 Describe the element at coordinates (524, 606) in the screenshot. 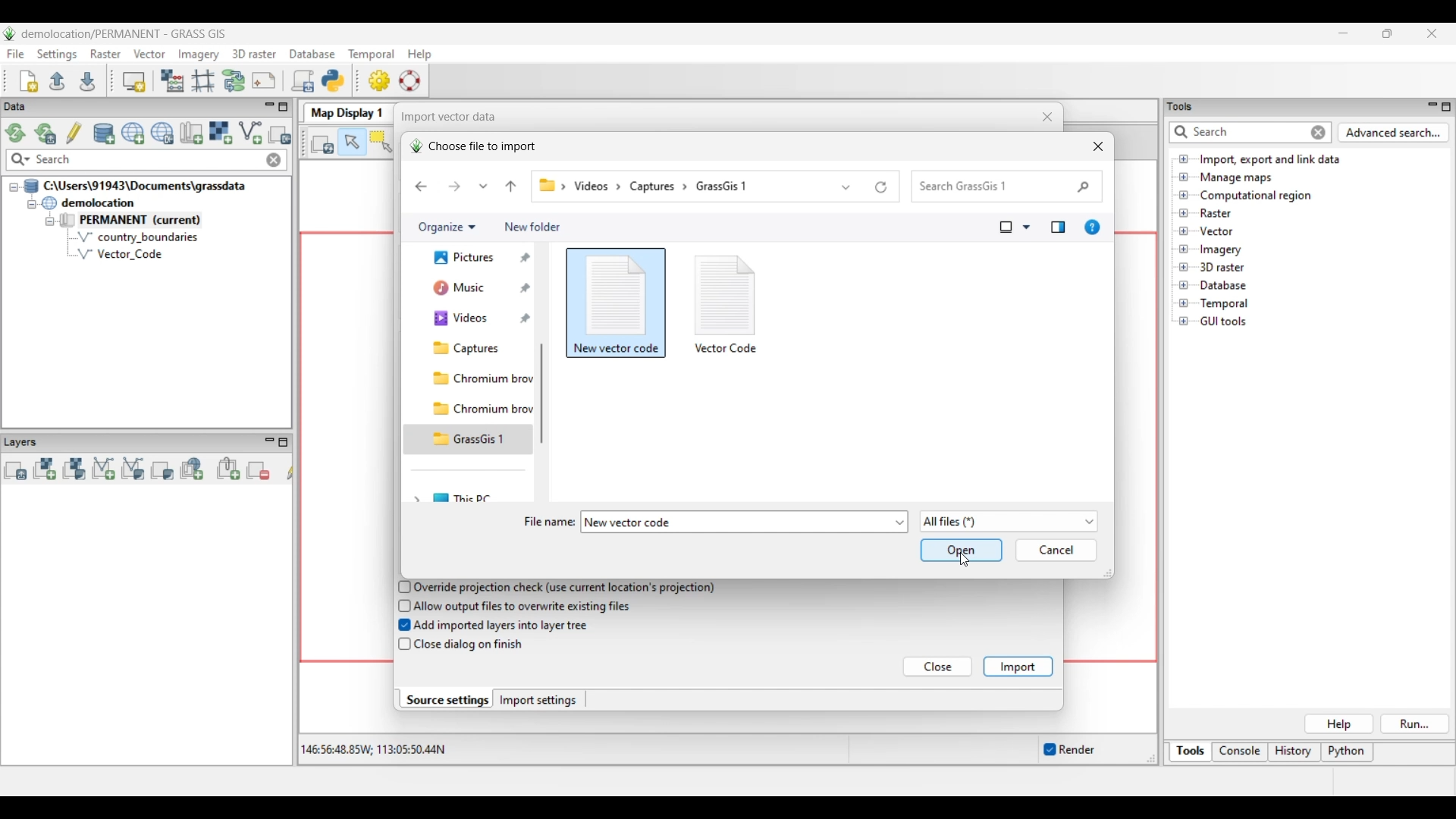

I see `Allow output files to overwrite existing files` at that location.